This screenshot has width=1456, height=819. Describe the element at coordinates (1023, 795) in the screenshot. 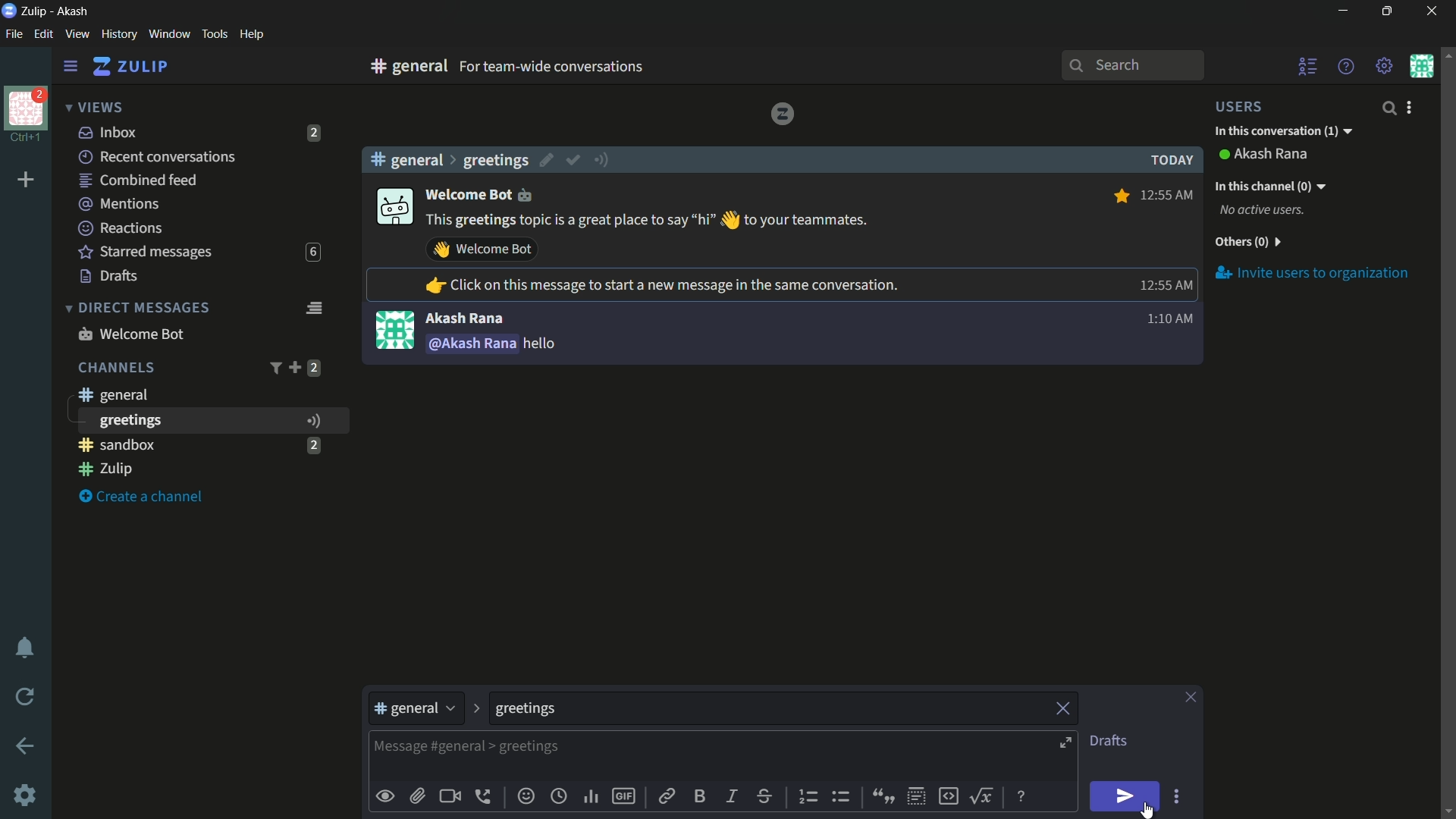

I see `message formatting` at that location.